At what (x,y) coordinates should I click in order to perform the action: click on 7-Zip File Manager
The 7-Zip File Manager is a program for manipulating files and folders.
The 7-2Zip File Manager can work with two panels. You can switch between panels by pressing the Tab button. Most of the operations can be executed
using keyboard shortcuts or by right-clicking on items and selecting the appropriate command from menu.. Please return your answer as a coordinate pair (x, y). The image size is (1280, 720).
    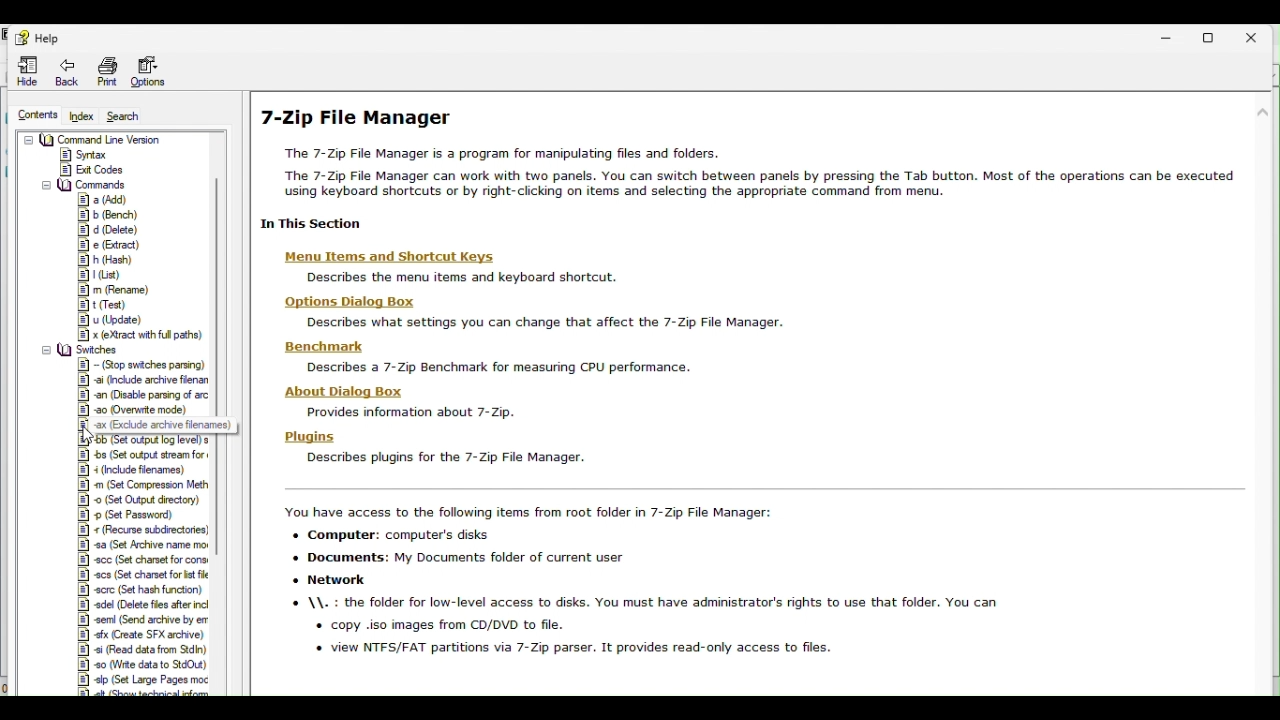
    Looking at the image, I should click on (747, 151).